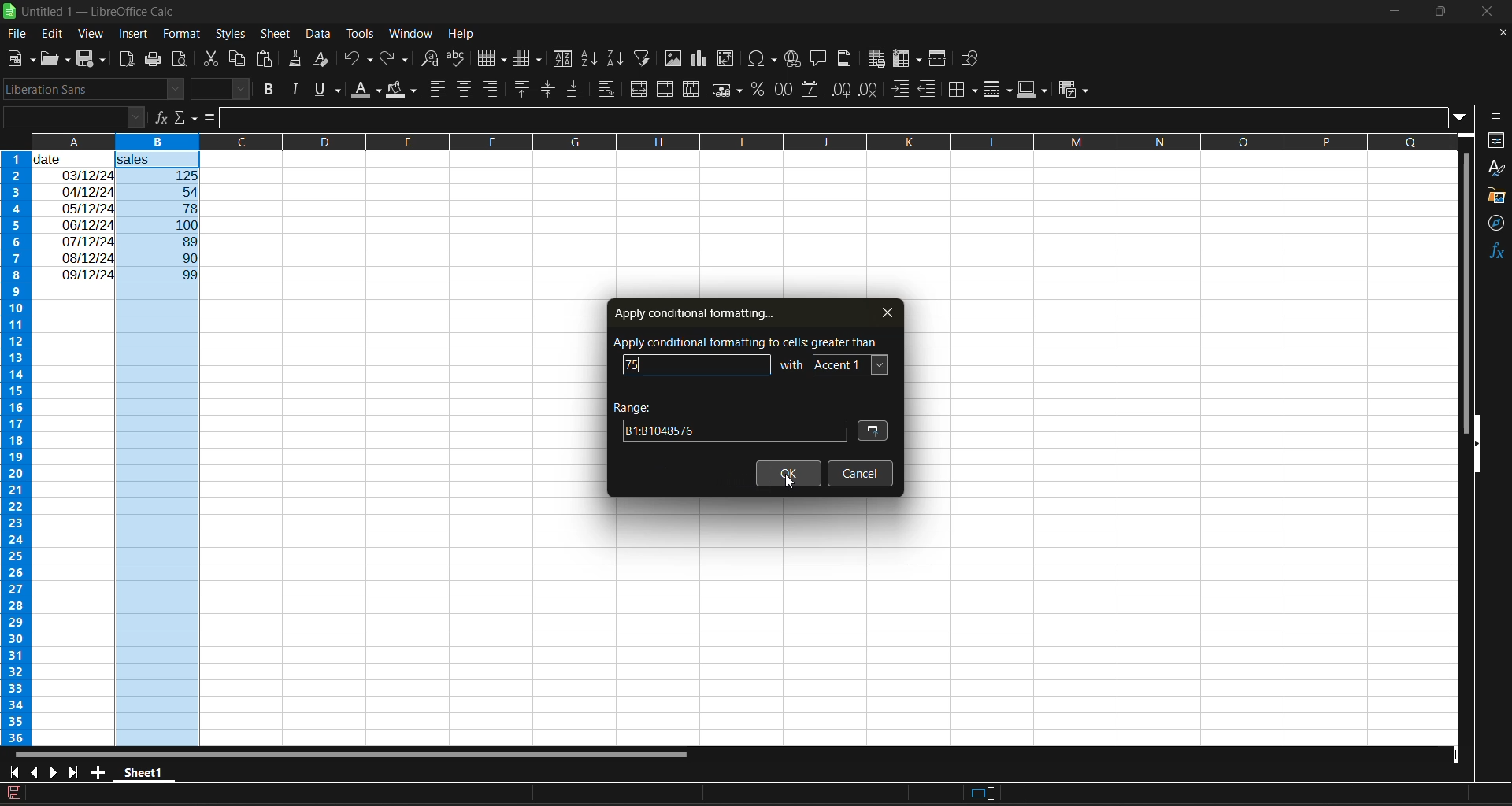  I want to click on close, so click(1496, 13).